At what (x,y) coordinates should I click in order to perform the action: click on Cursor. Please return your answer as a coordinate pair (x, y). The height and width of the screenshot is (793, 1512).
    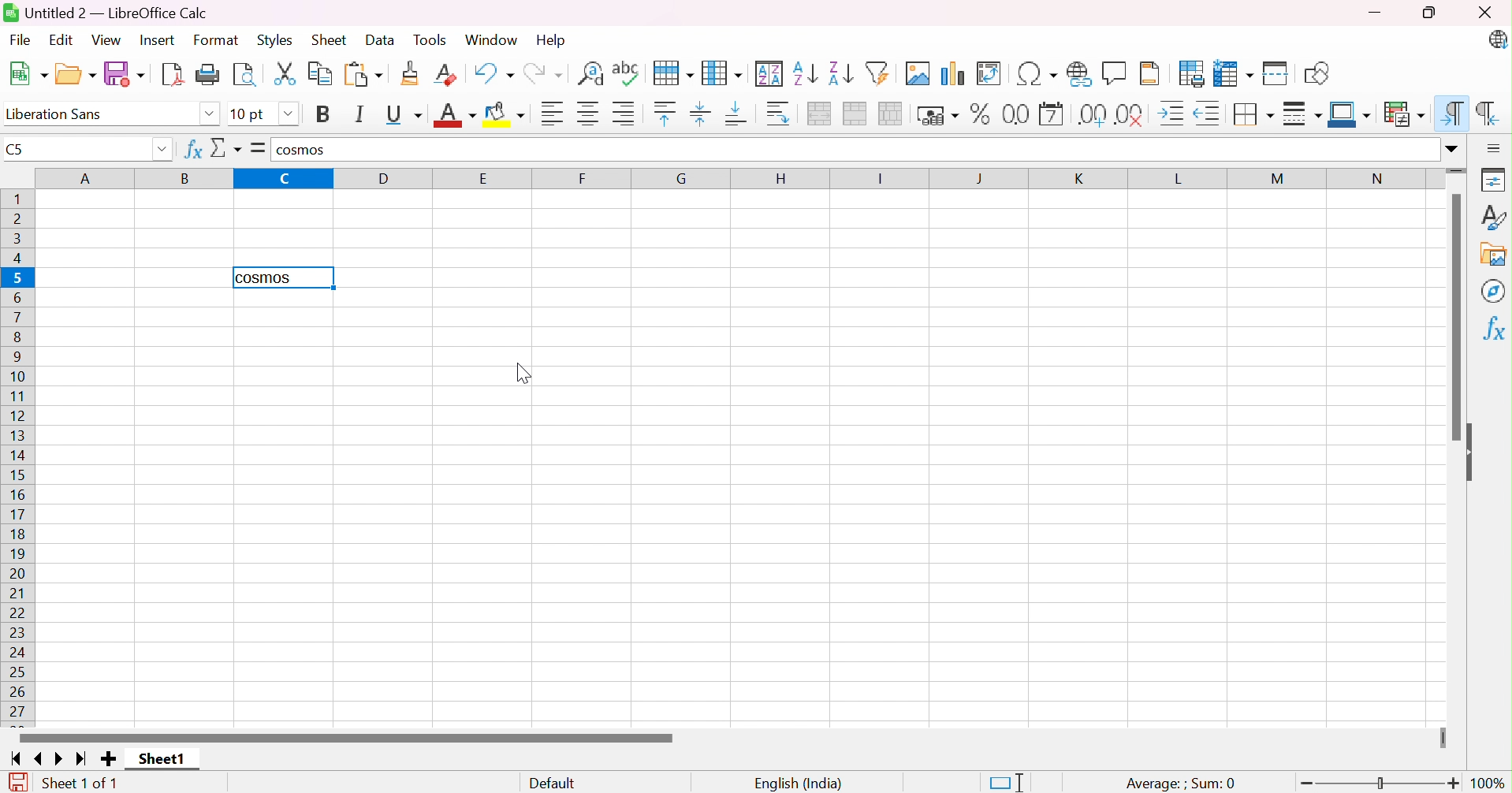
    Looking at the image, I should click on (521, 375).